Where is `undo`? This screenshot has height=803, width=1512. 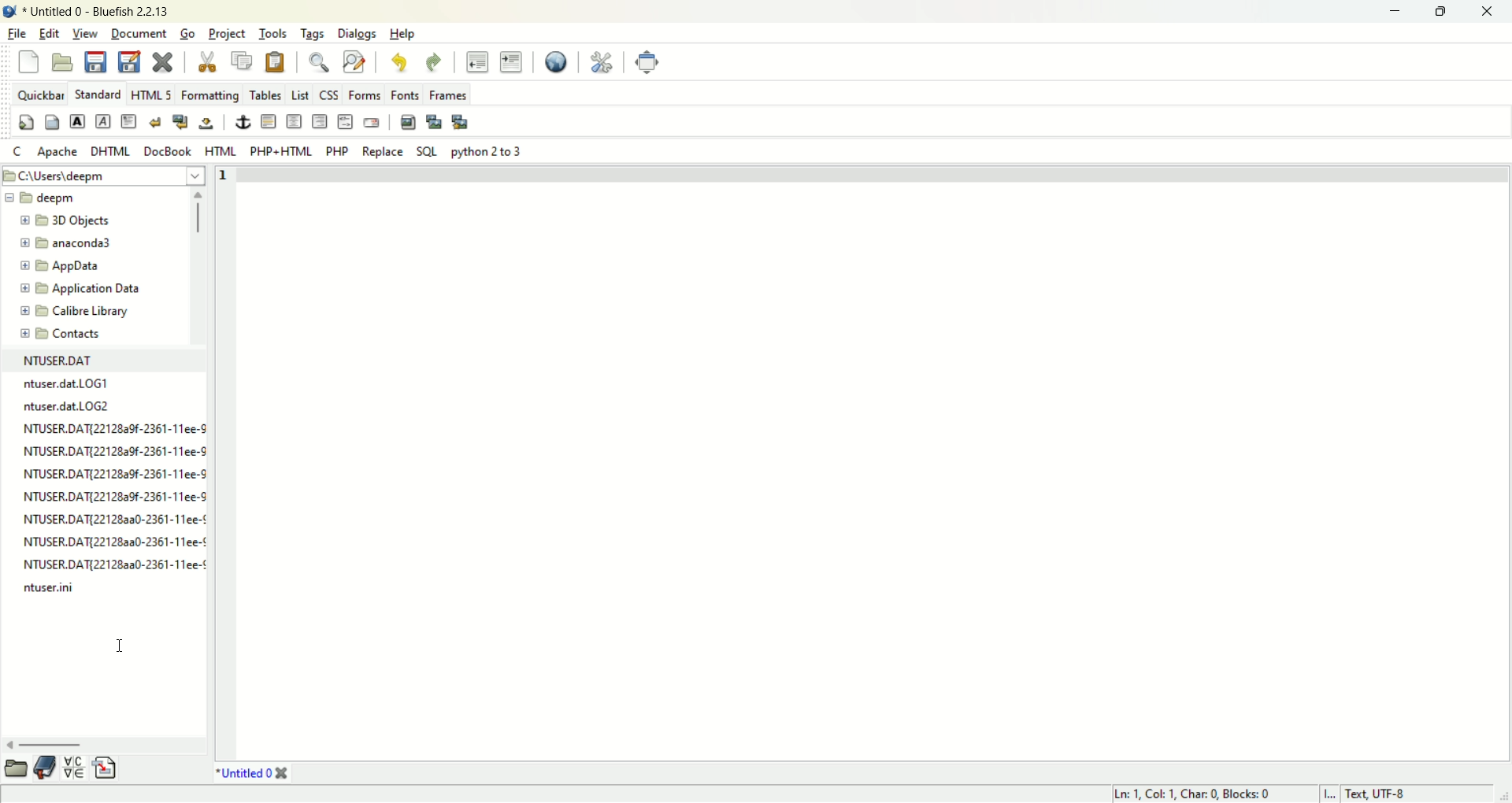
undo is located at coordinates (400, 63).